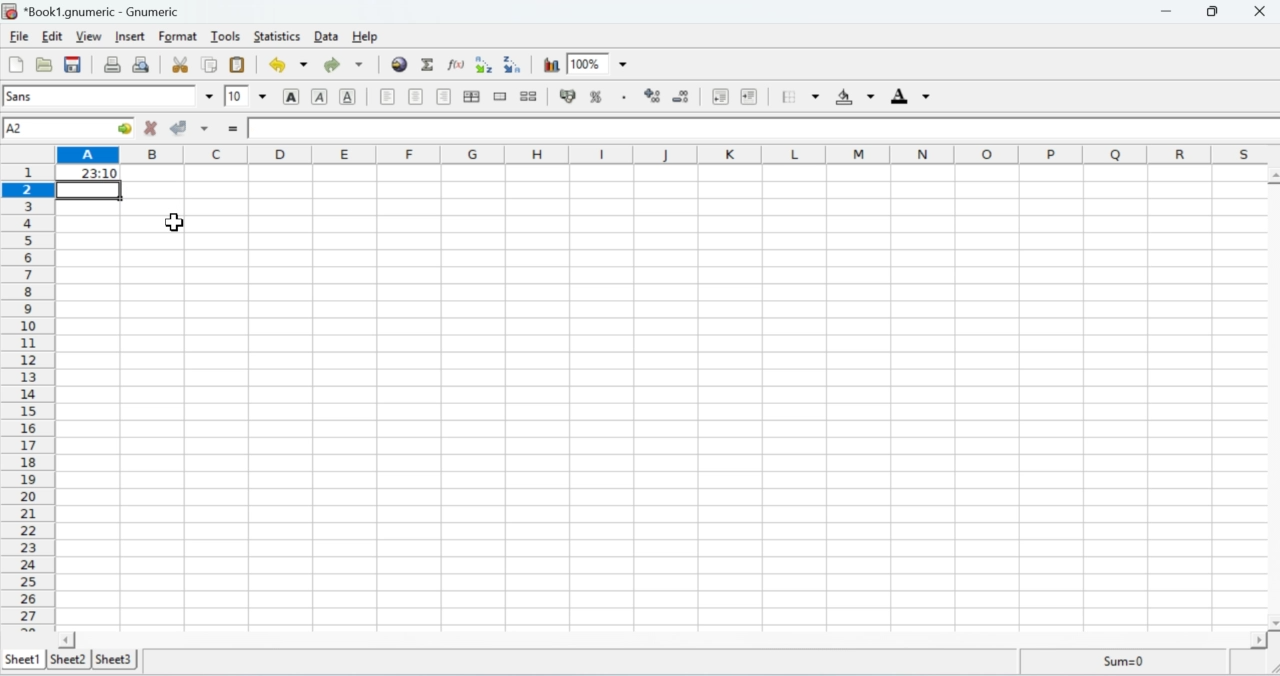 Image resolution: width=1280 pixels, height=676 pixels. What do you see at coordinates (183, 63) in the screenshot?
I see `Cut the selection` at bounding box center [183, 63].